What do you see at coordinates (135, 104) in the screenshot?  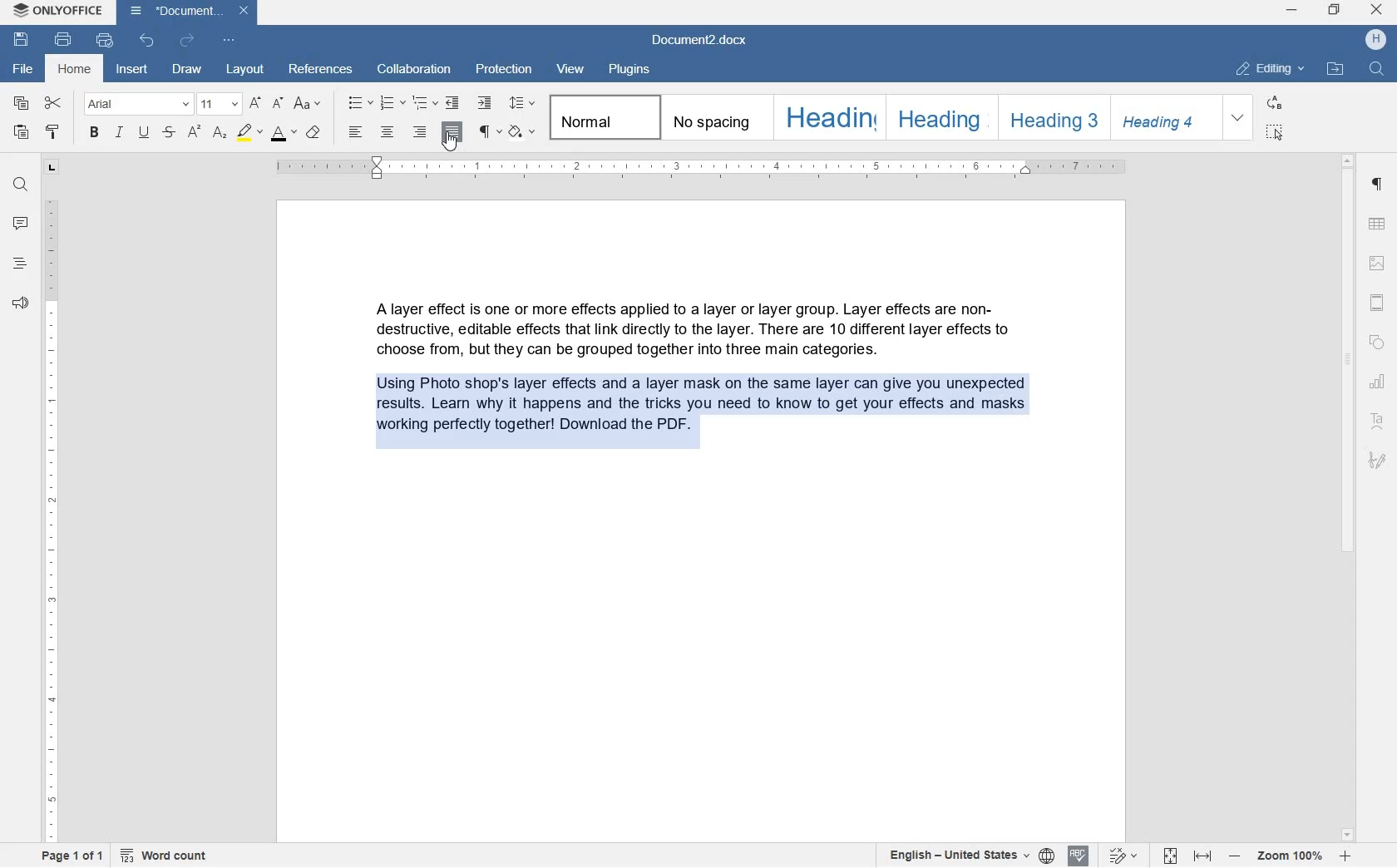 I see `FONT NAME` at bounding box center [135, 104].